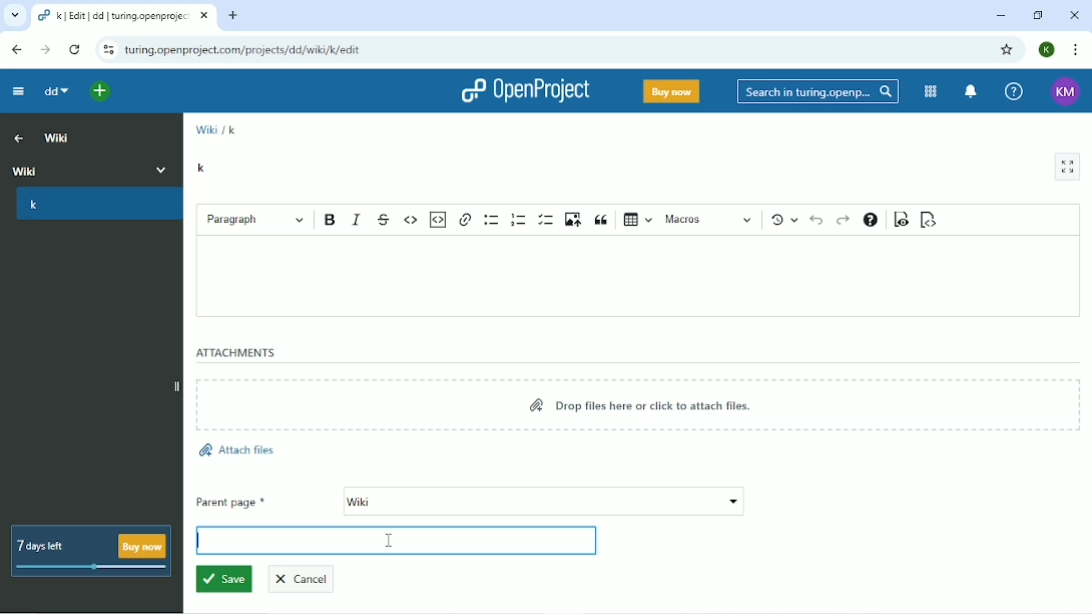  What do you see at coordinates (1074, 15) in the screenshot?
I see `Close` at bounding box center [1074, 15].